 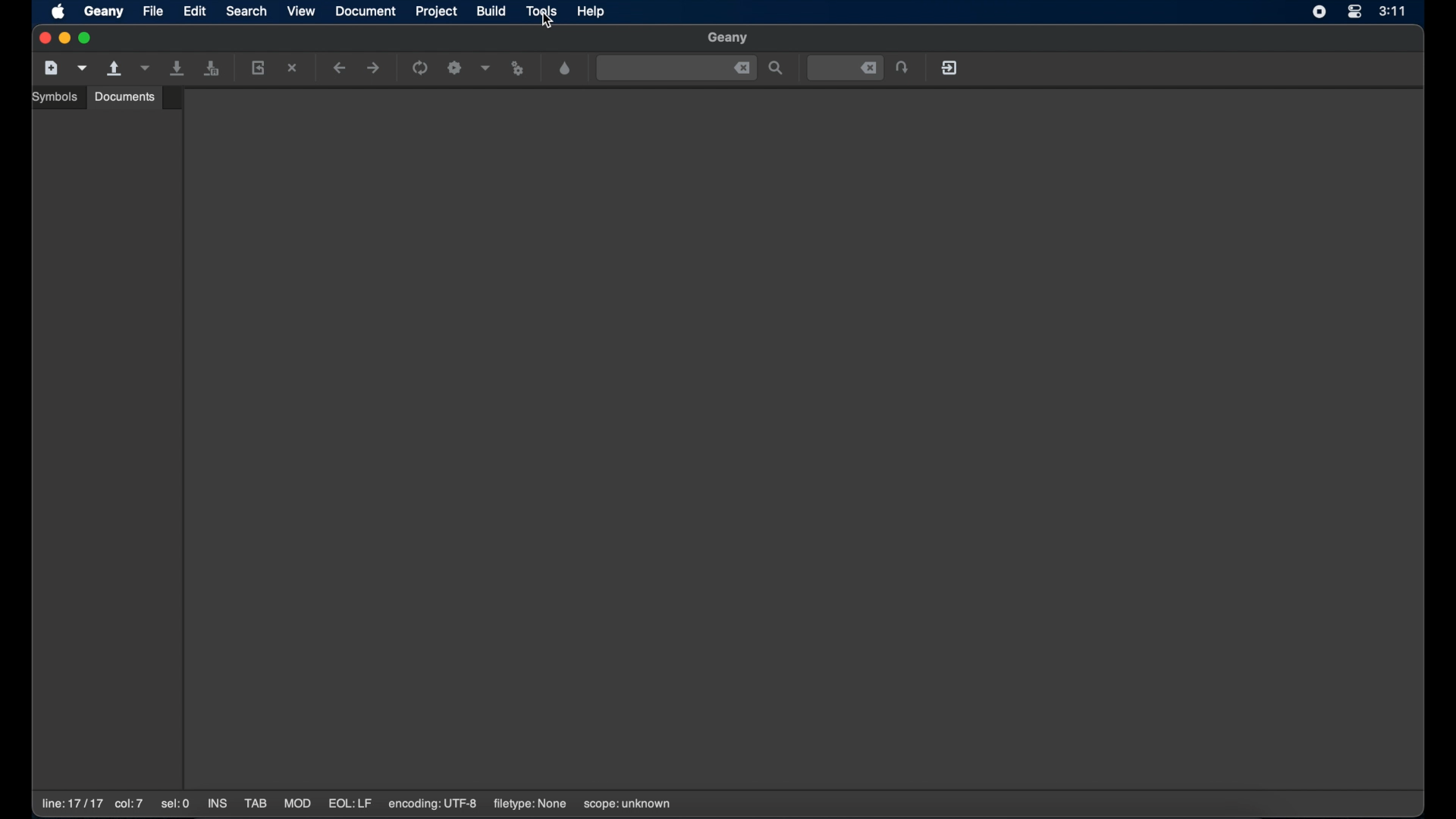 I want to click on close, so click(x=742, y=68).